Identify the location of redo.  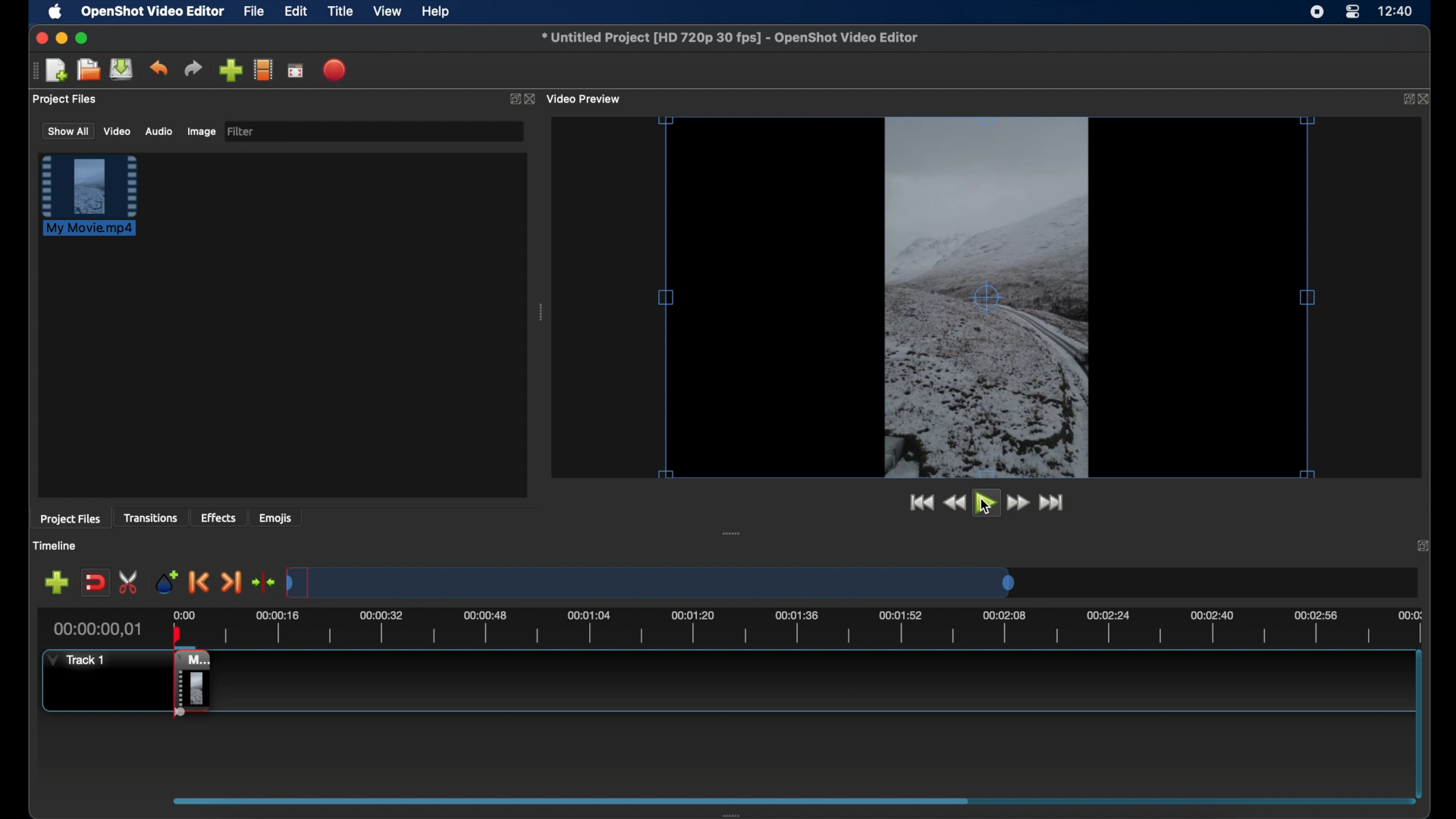
(193, 69).